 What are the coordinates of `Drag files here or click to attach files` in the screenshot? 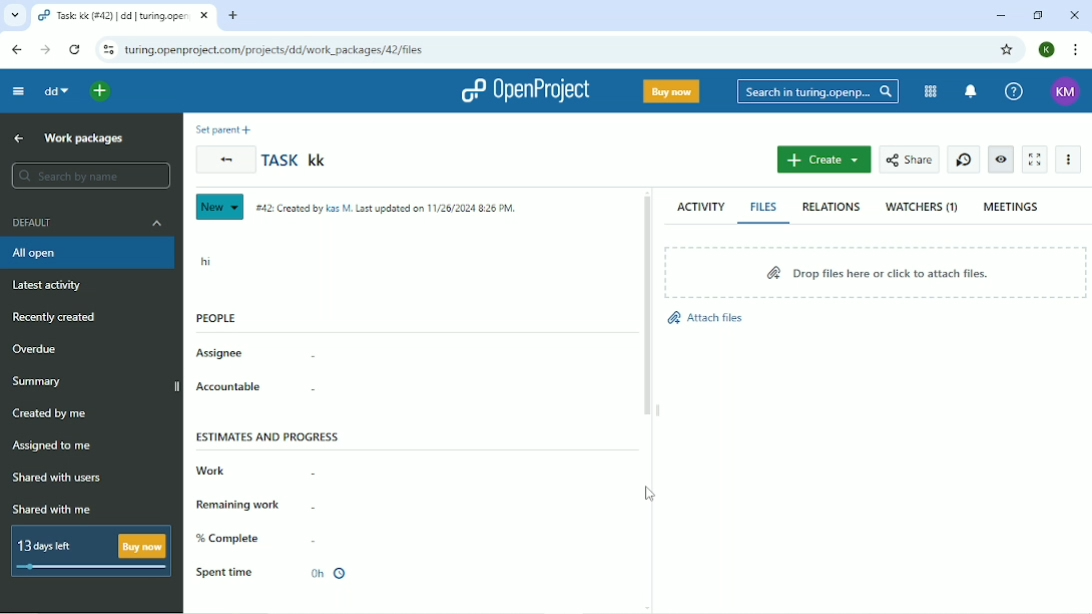 It's located at (875, 272).